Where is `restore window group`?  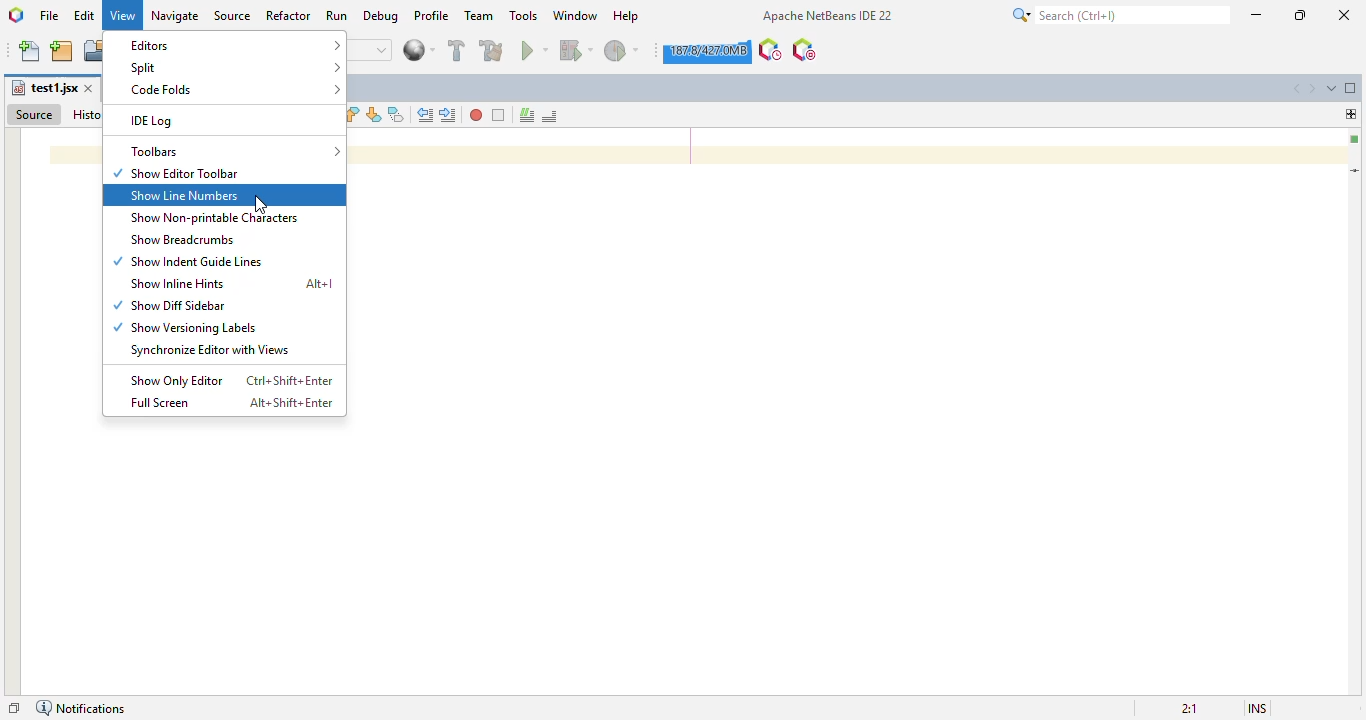 restore window group is located at coordinates (15, 709).